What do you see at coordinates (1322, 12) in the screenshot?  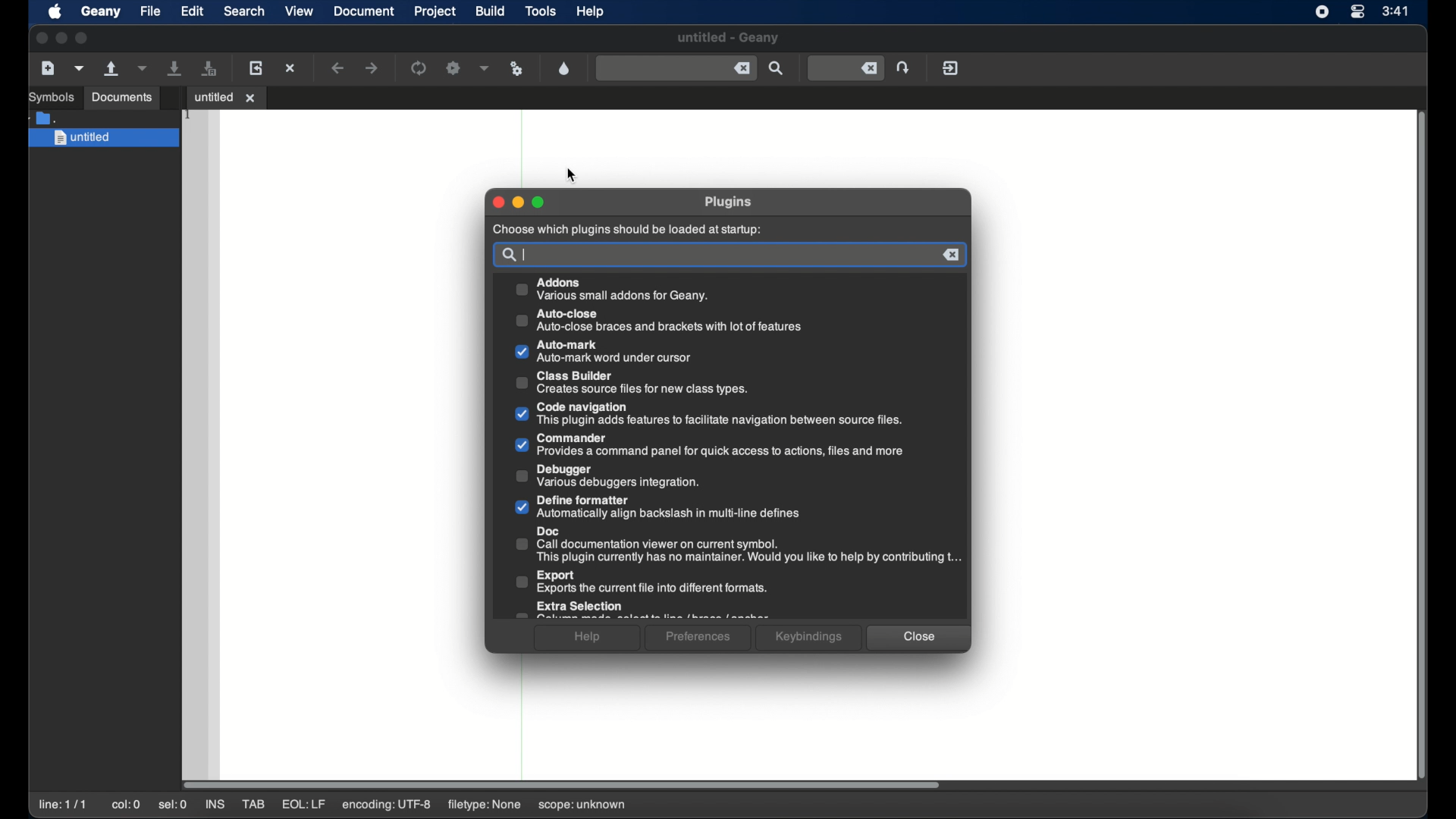 I see `screen recorder icon` at bounding box center [1322, 12].